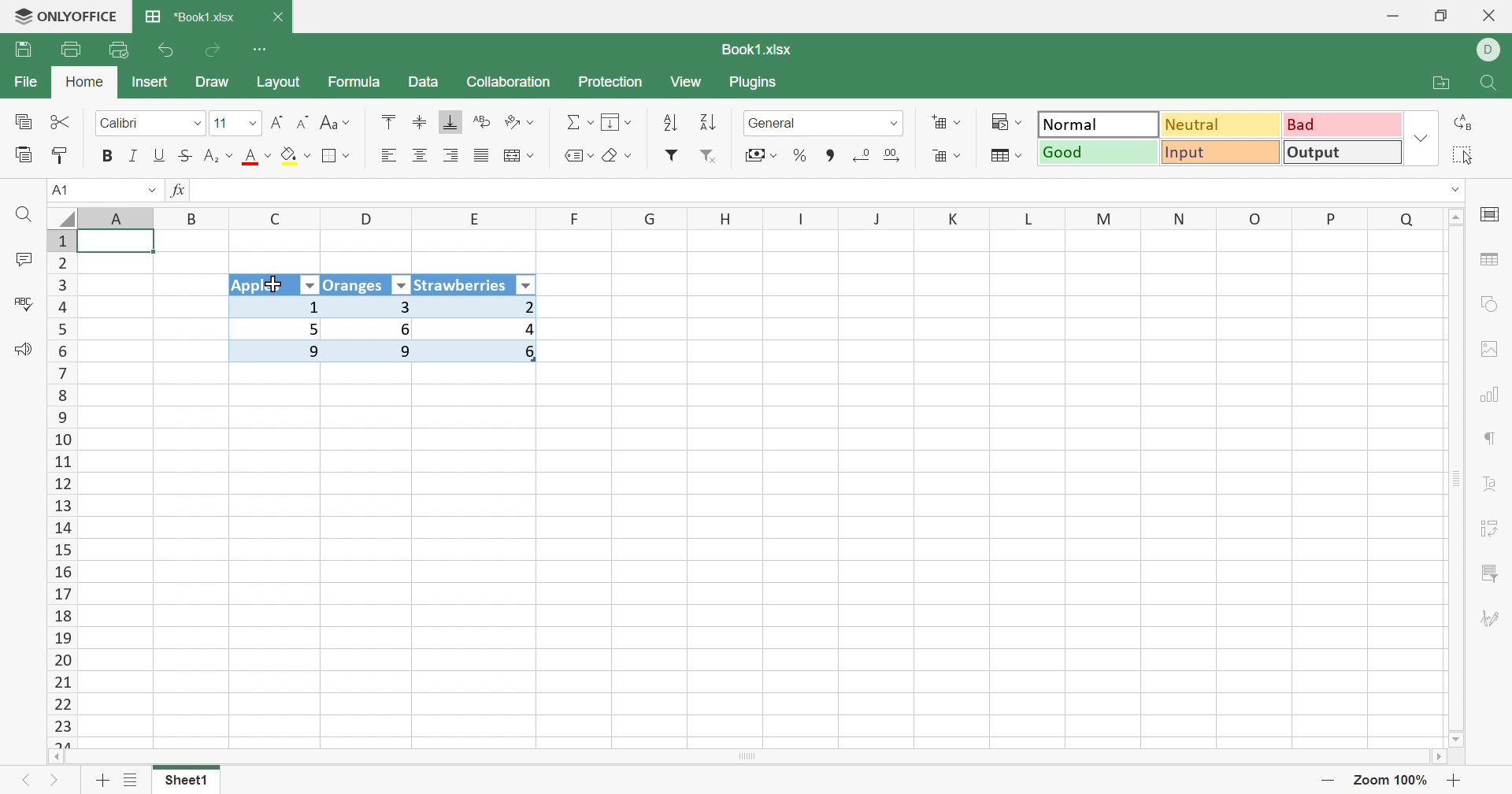  Describe the element at coordinates (1490, 17) in the screenshot. I see `Close` at that location.